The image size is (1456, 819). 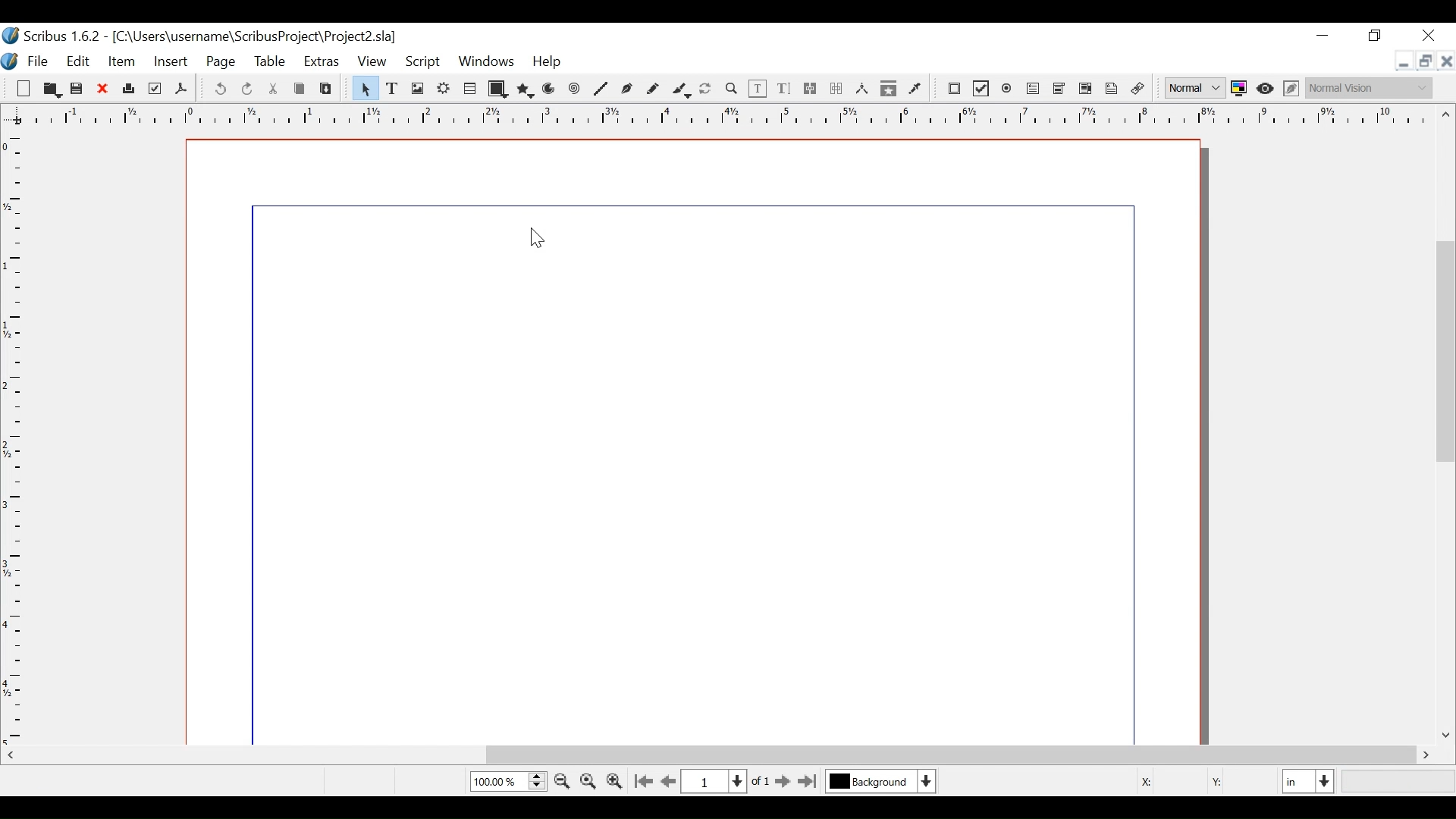 What do you see at coordinates (889, 88) in the screenshot?
I see `Copy Item properties` at bounding box center [889, 88].